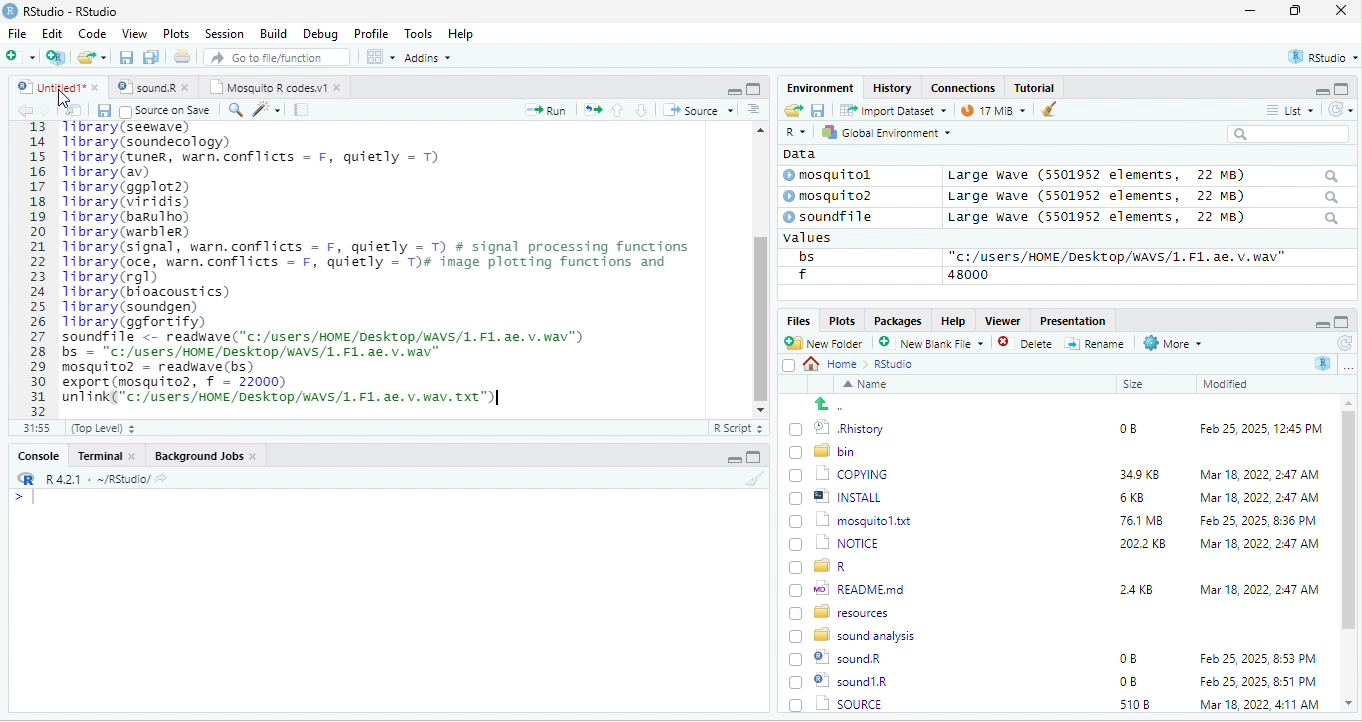  I want to click on 8 sound analysis, so click(855, 634).